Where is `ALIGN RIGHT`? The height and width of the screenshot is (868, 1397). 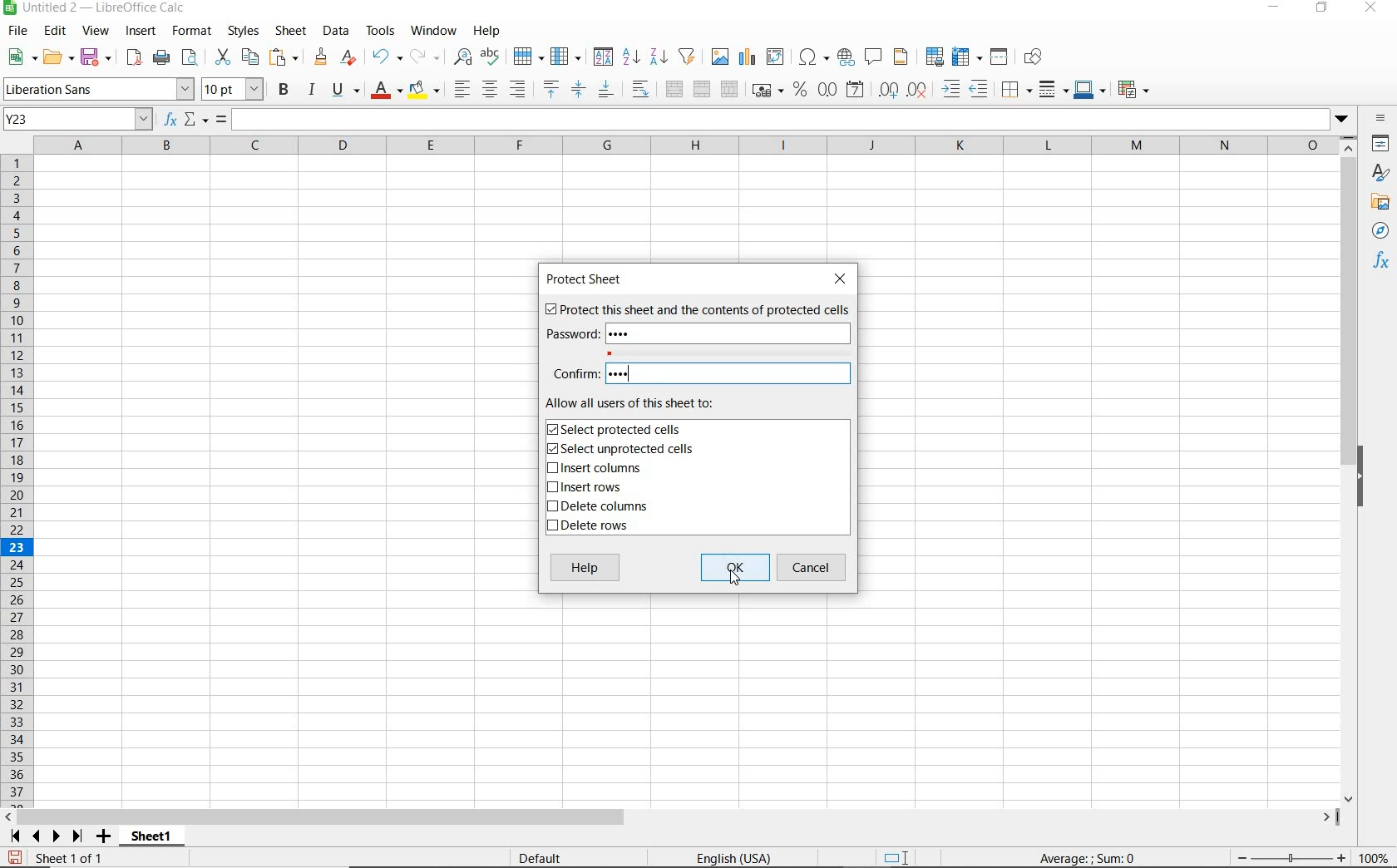
ALIGN RIGHT is located at coordinates (517, 90).